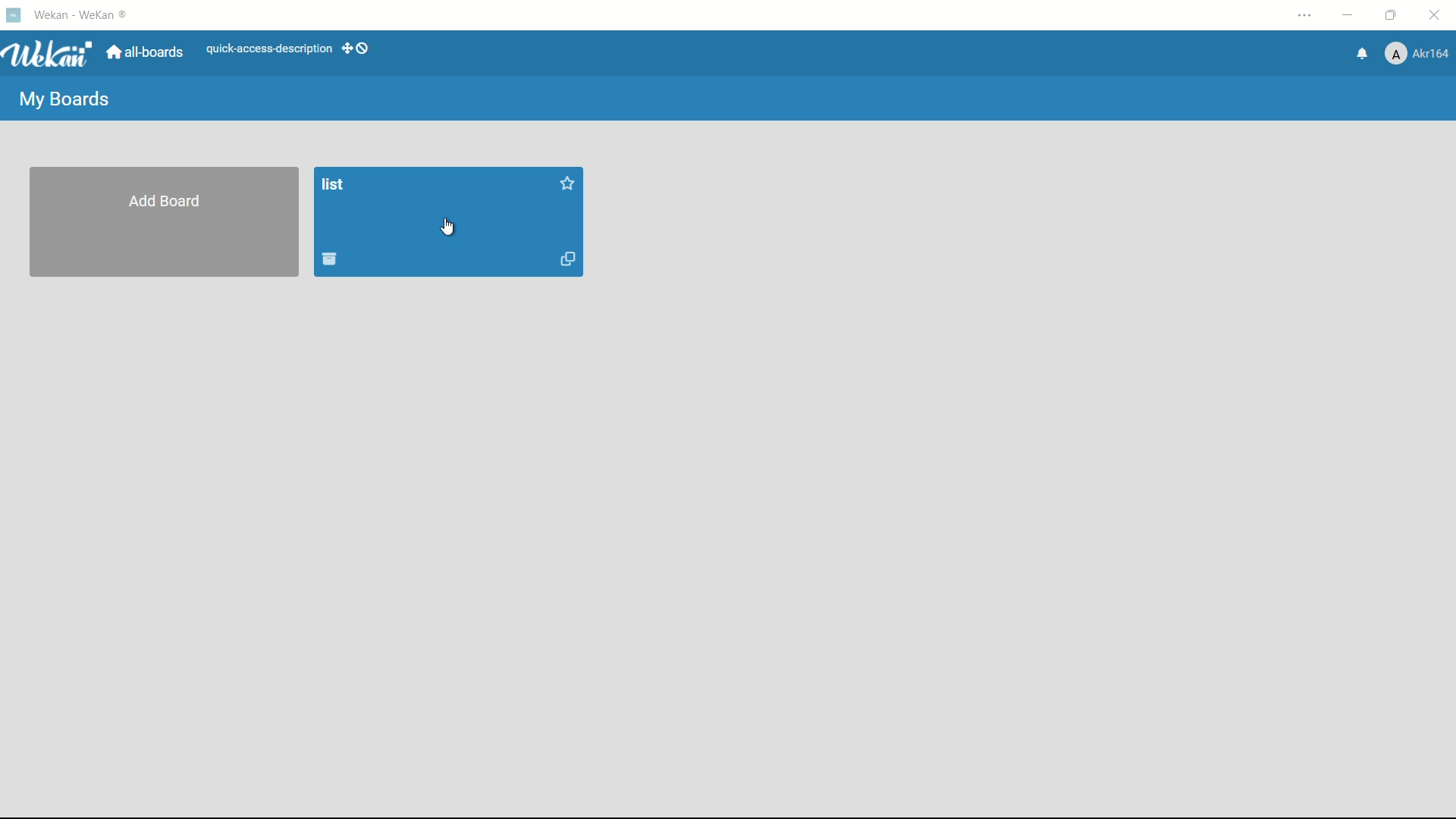 Image resolution: width=1456 pixels, height=819 pixels. What do you see at coordinates (1418, 52) in the screenshot?
I see `profile` at bounding box center [1418, 52].